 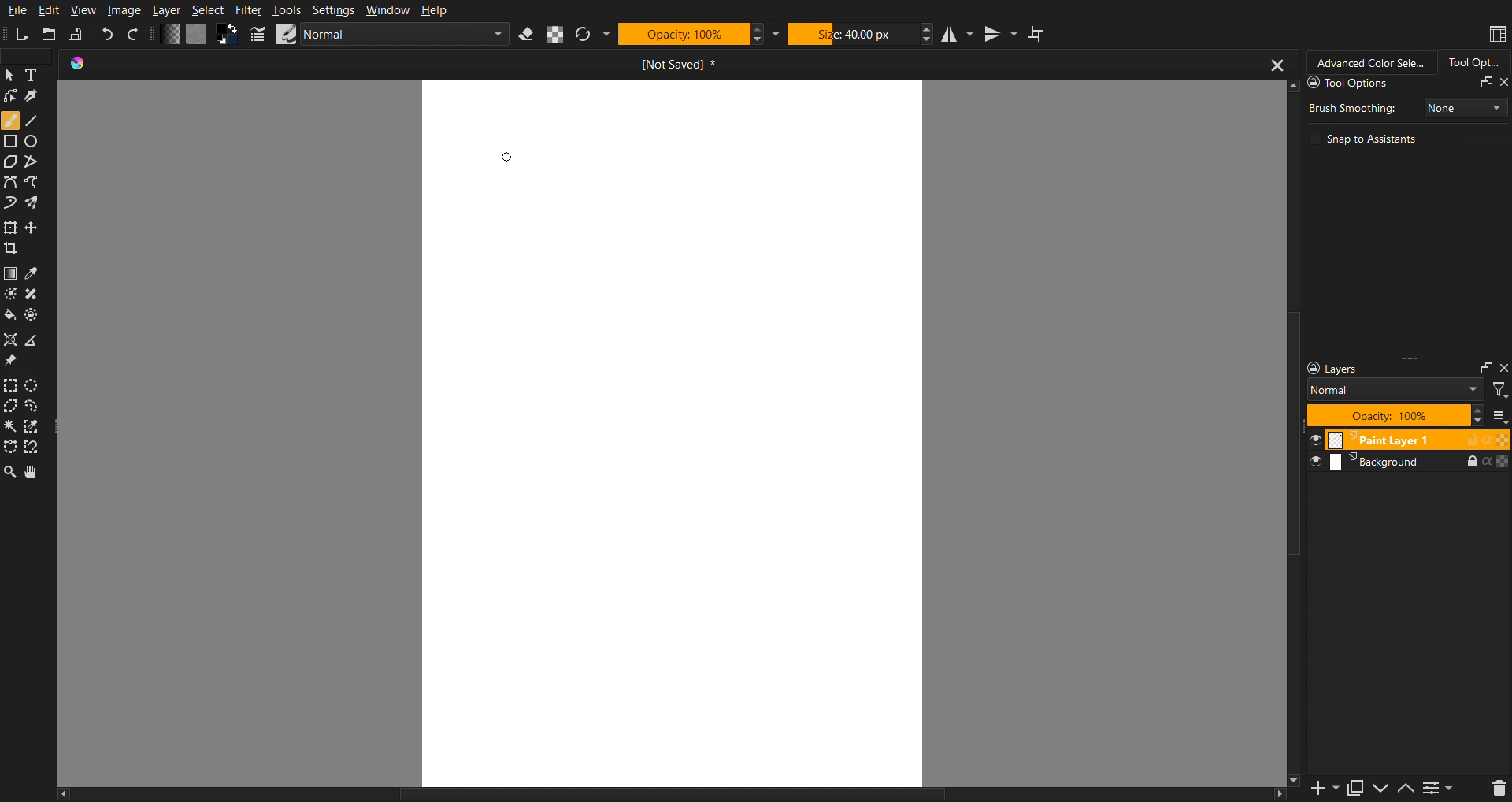 I want to click on Open, so click(x=50, y=33).